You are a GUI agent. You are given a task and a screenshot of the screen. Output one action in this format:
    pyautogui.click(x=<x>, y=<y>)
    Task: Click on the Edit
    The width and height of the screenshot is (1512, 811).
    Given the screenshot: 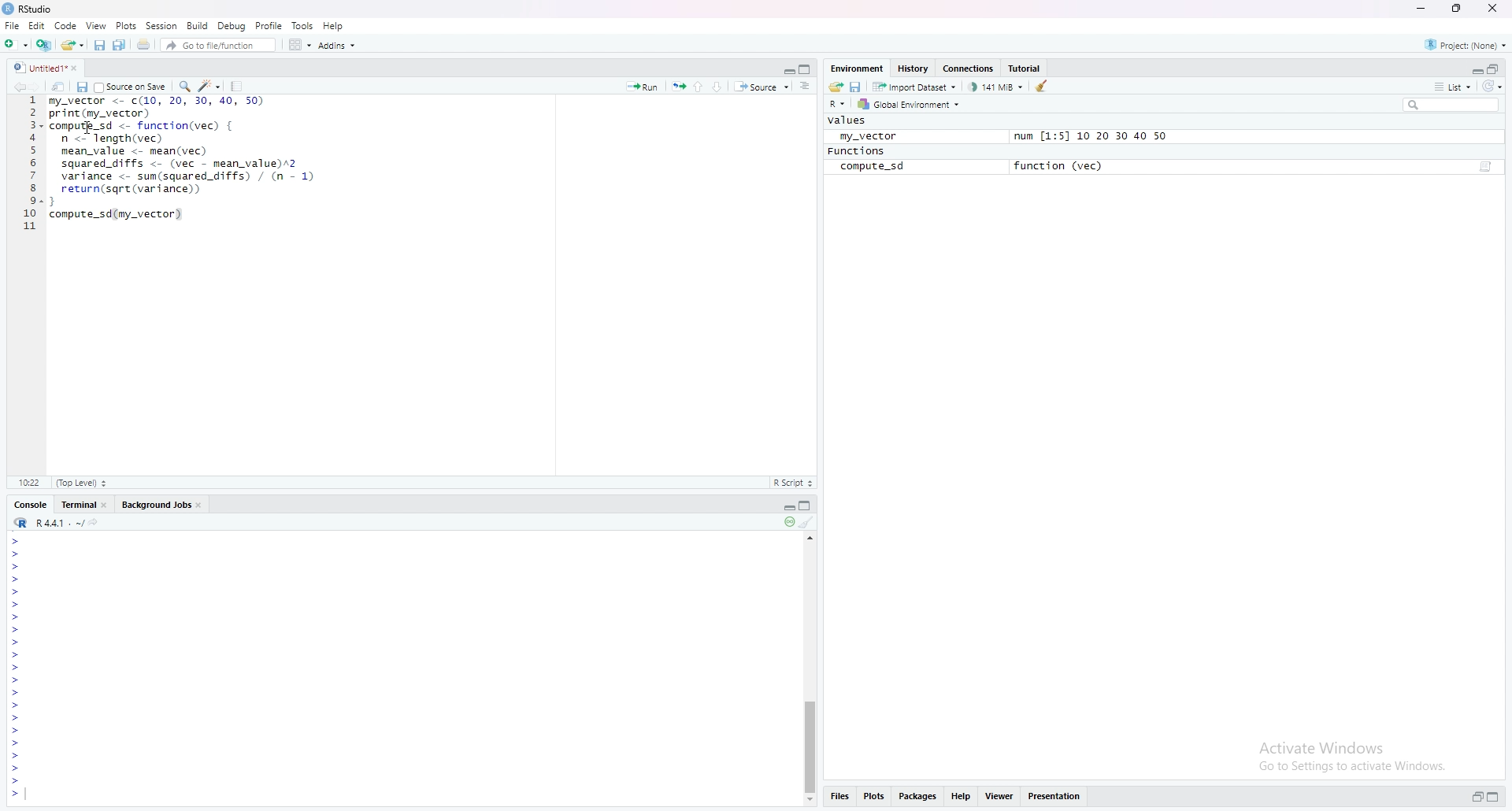 What is the action you would take?
    pyautogui.click(x=39, y=27)
    